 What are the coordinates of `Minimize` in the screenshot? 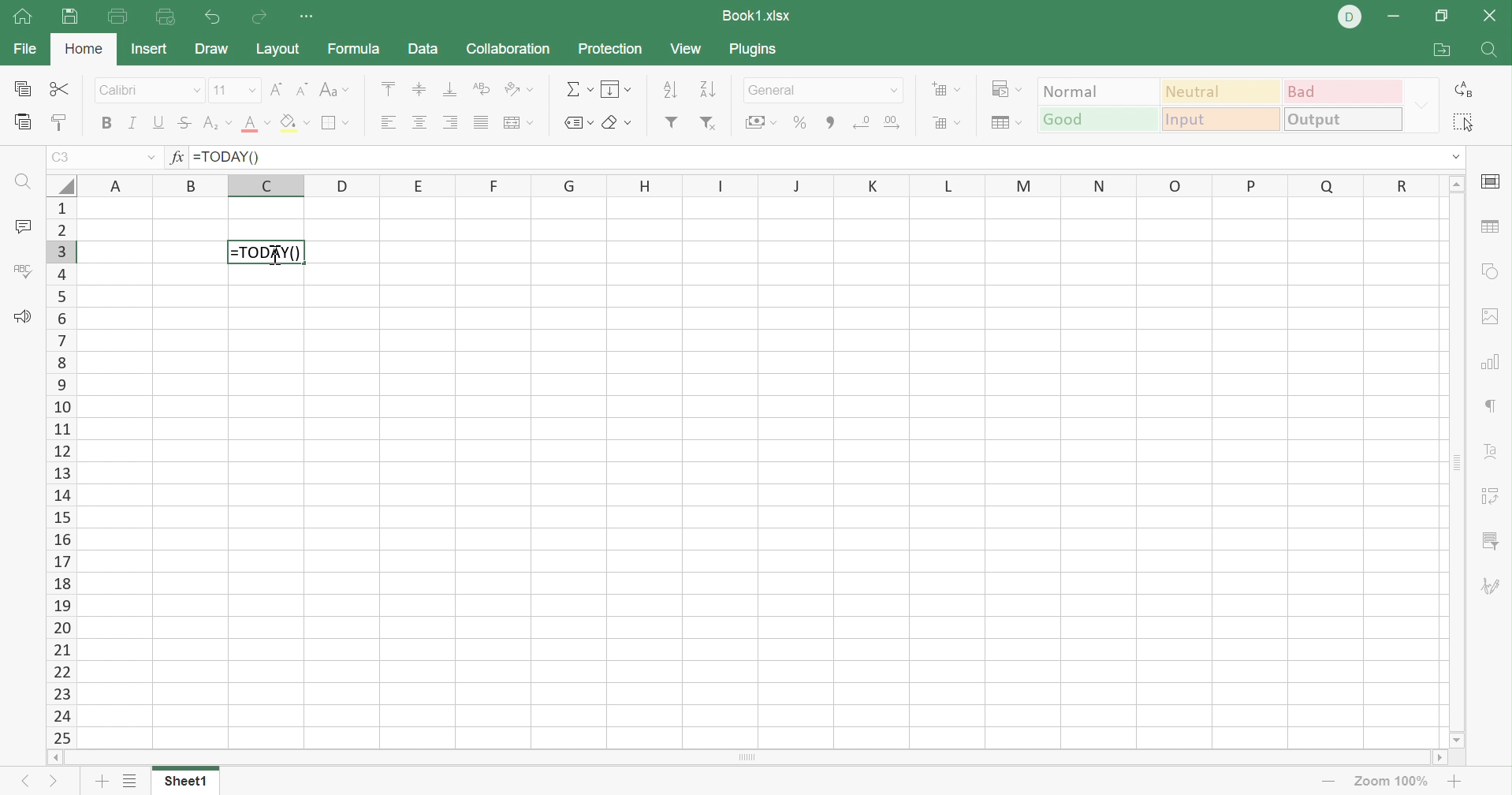 It's located at (1392, 17).